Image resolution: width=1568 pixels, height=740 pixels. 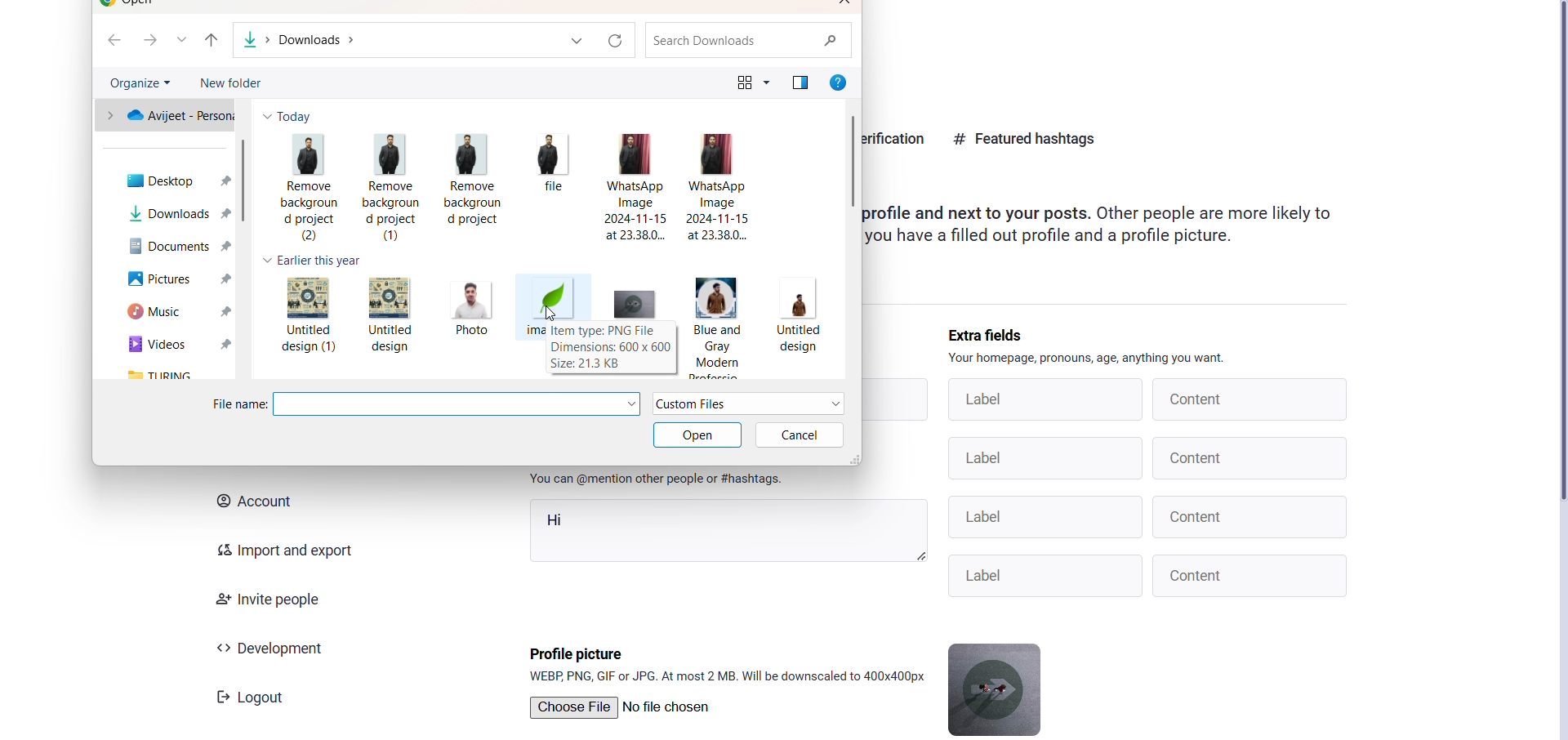 I want to click on Content, so click(x=1252, y=516).